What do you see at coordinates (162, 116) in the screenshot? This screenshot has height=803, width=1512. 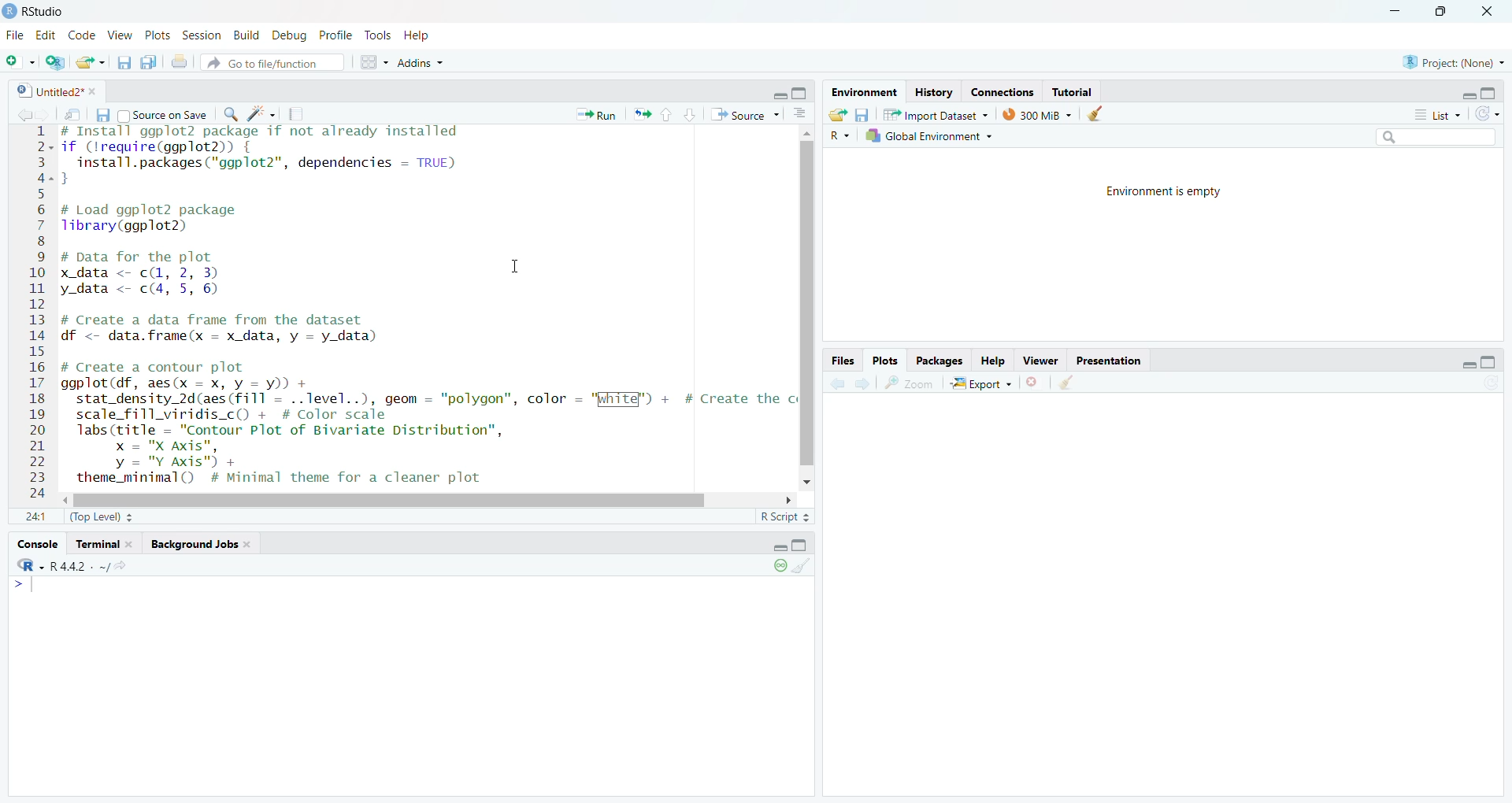 I see `Source on Save` at bounding box center [162, 116].